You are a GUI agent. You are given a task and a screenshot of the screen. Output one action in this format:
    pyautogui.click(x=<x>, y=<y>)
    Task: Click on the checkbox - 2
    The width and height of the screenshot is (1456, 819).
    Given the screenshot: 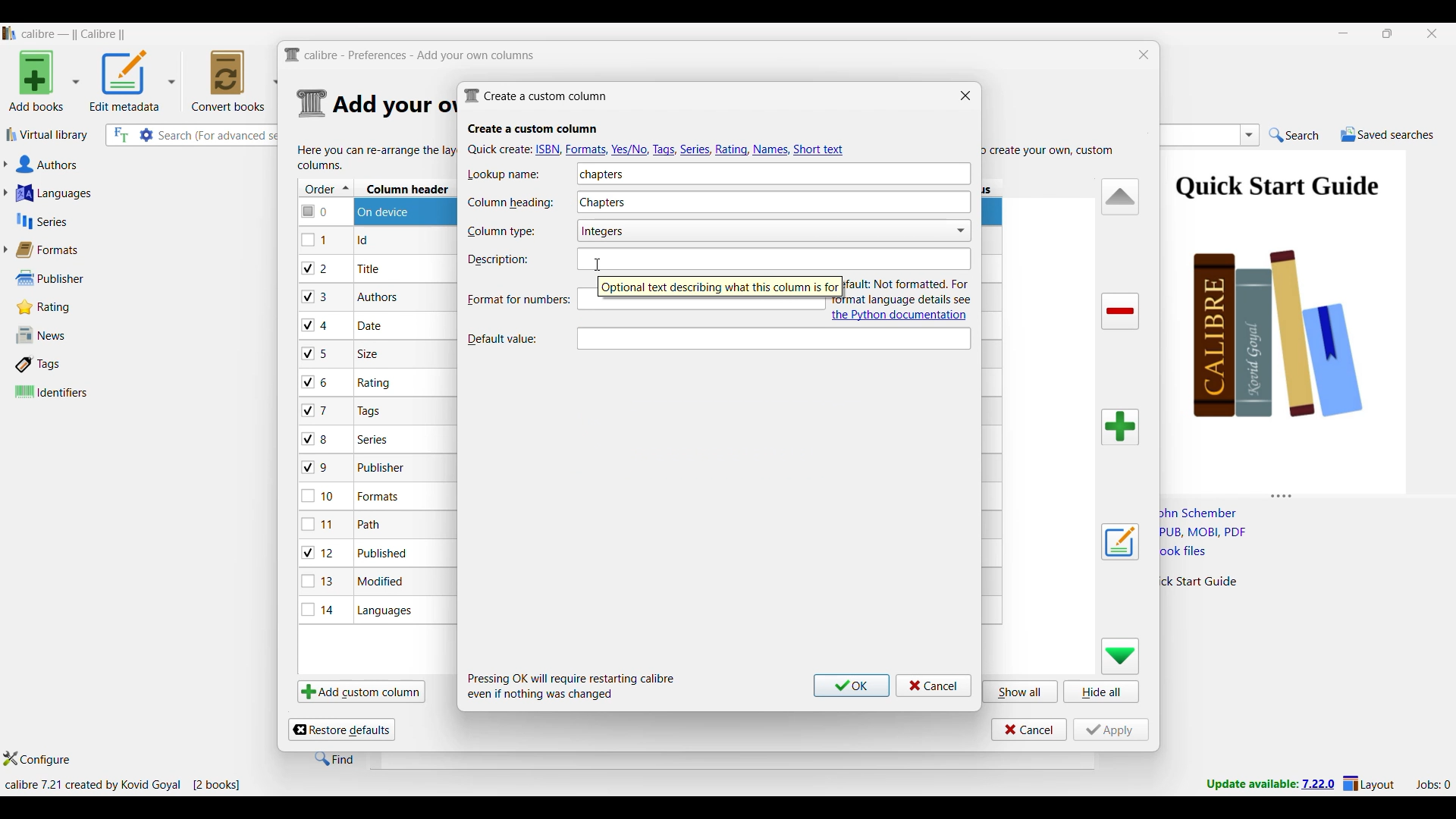 What is the action you would take?
    pyautogui.click(x=315, y=268)
    